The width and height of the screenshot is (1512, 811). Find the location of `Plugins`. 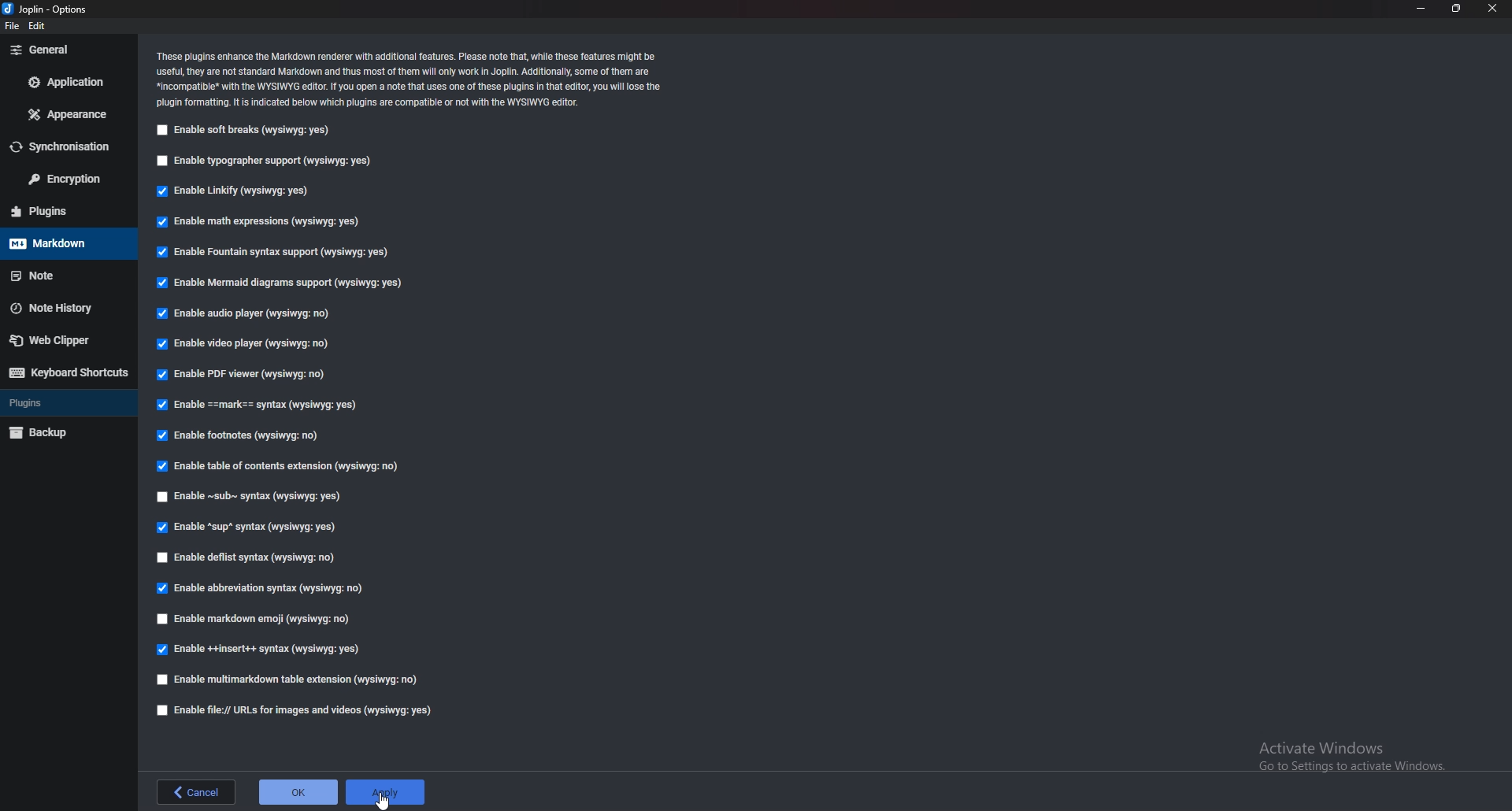

Plugins is located at coordinates (61, 209).